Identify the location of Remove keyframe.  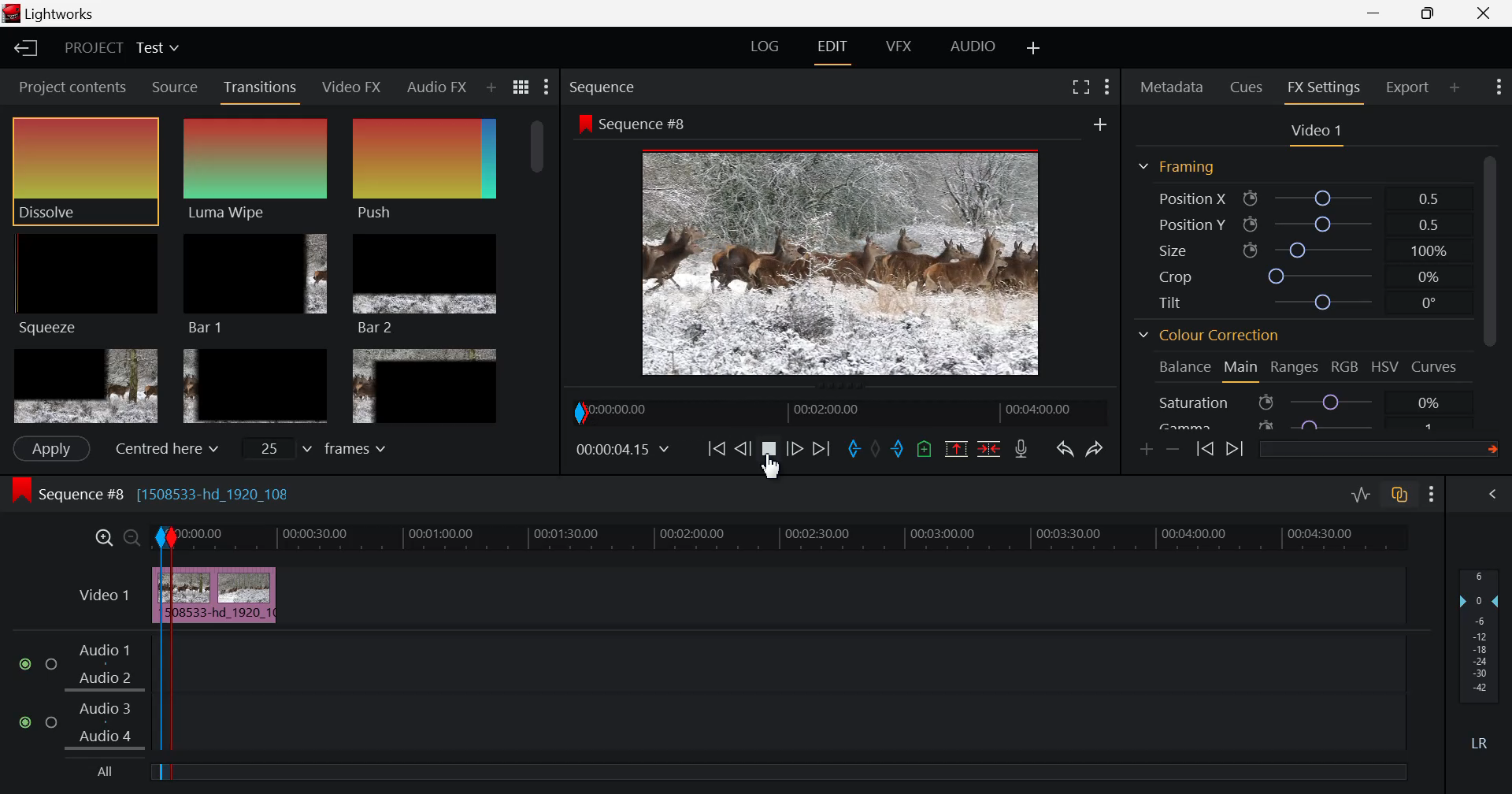
(1173, 451).